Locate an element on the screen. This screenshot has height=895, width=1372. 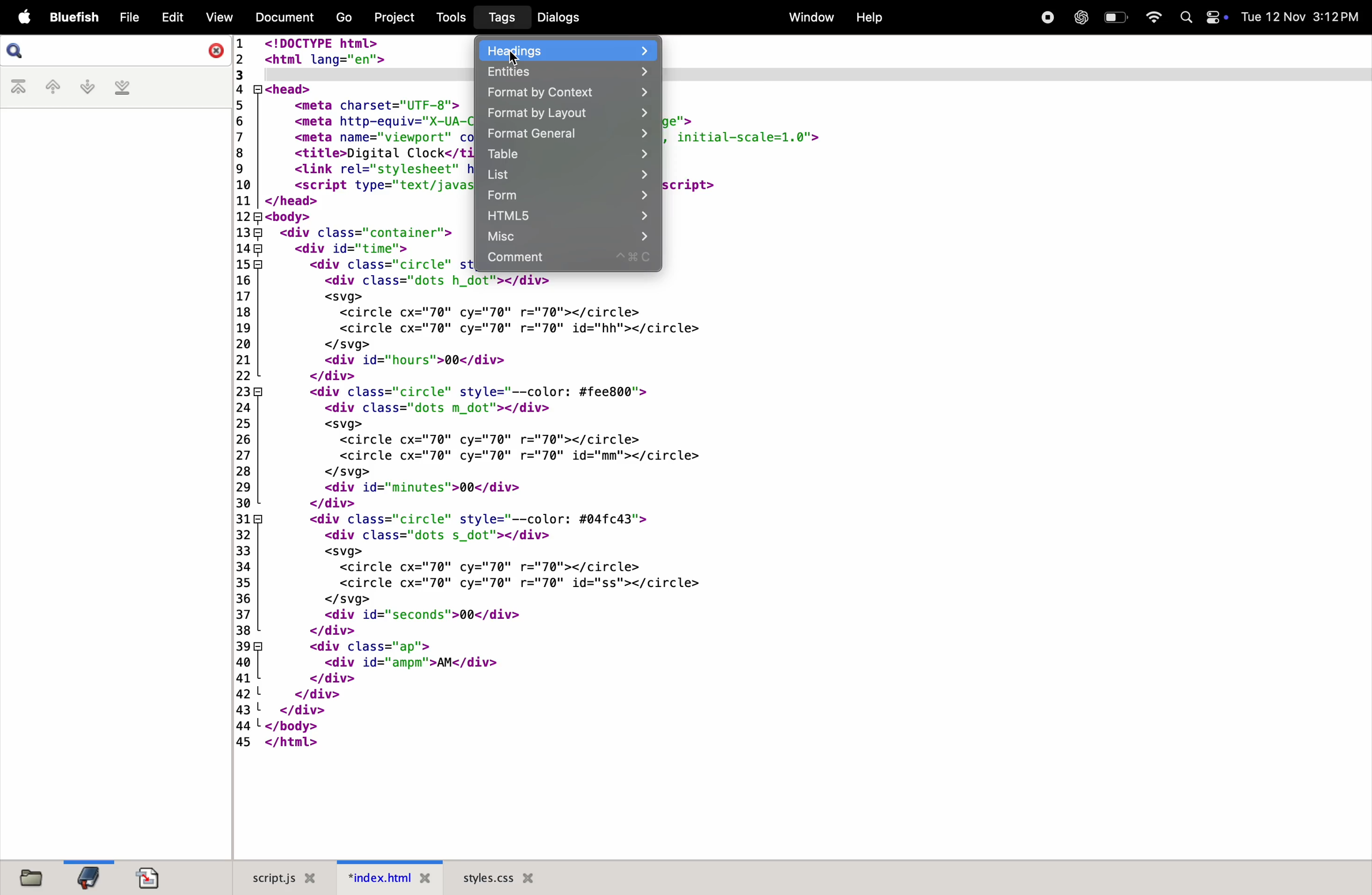
battery is located at coordinates (1115, 17).